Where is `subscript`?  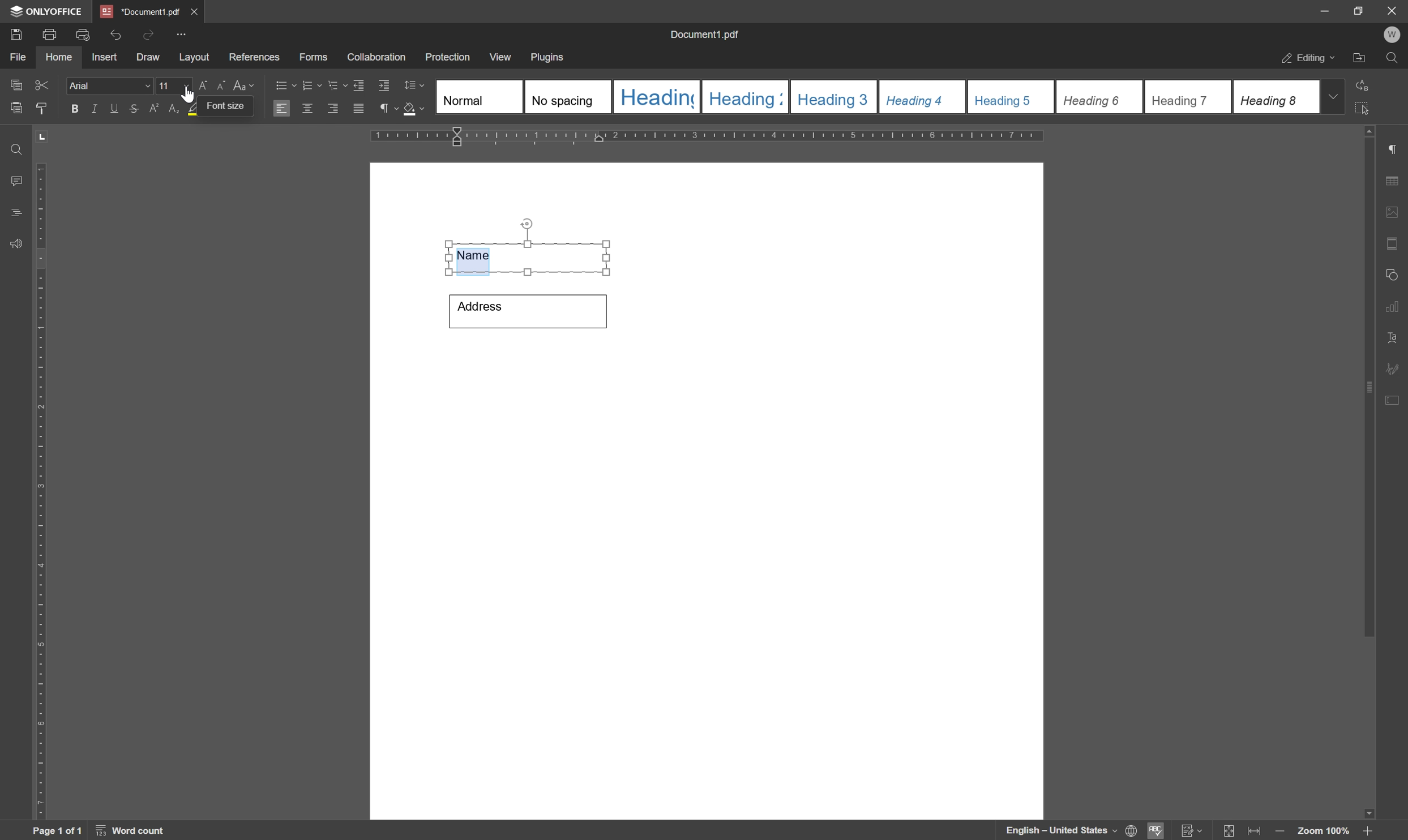 subscript is located at coordinates (170, 109).